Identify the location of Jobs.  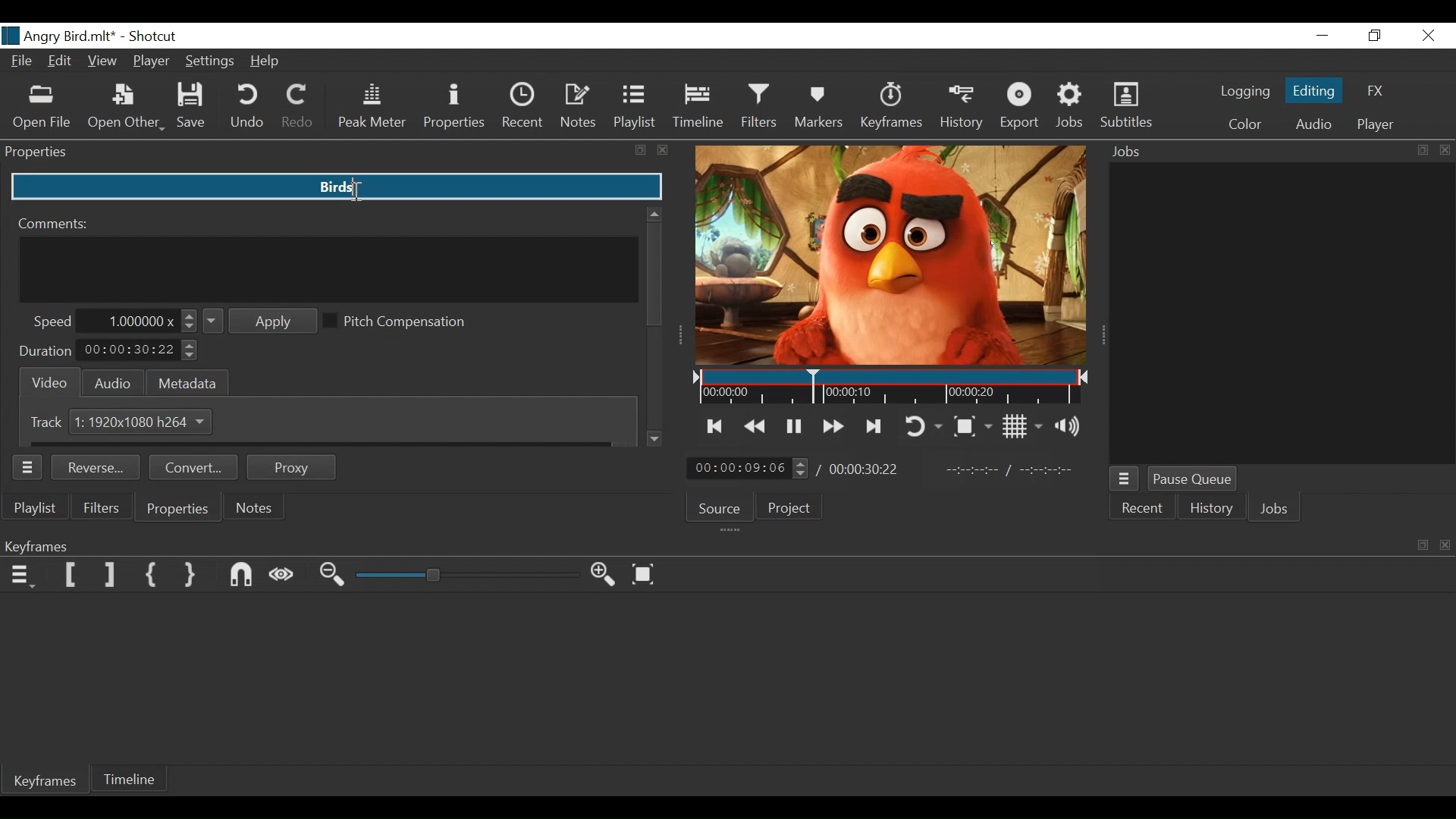
(1276, 508).